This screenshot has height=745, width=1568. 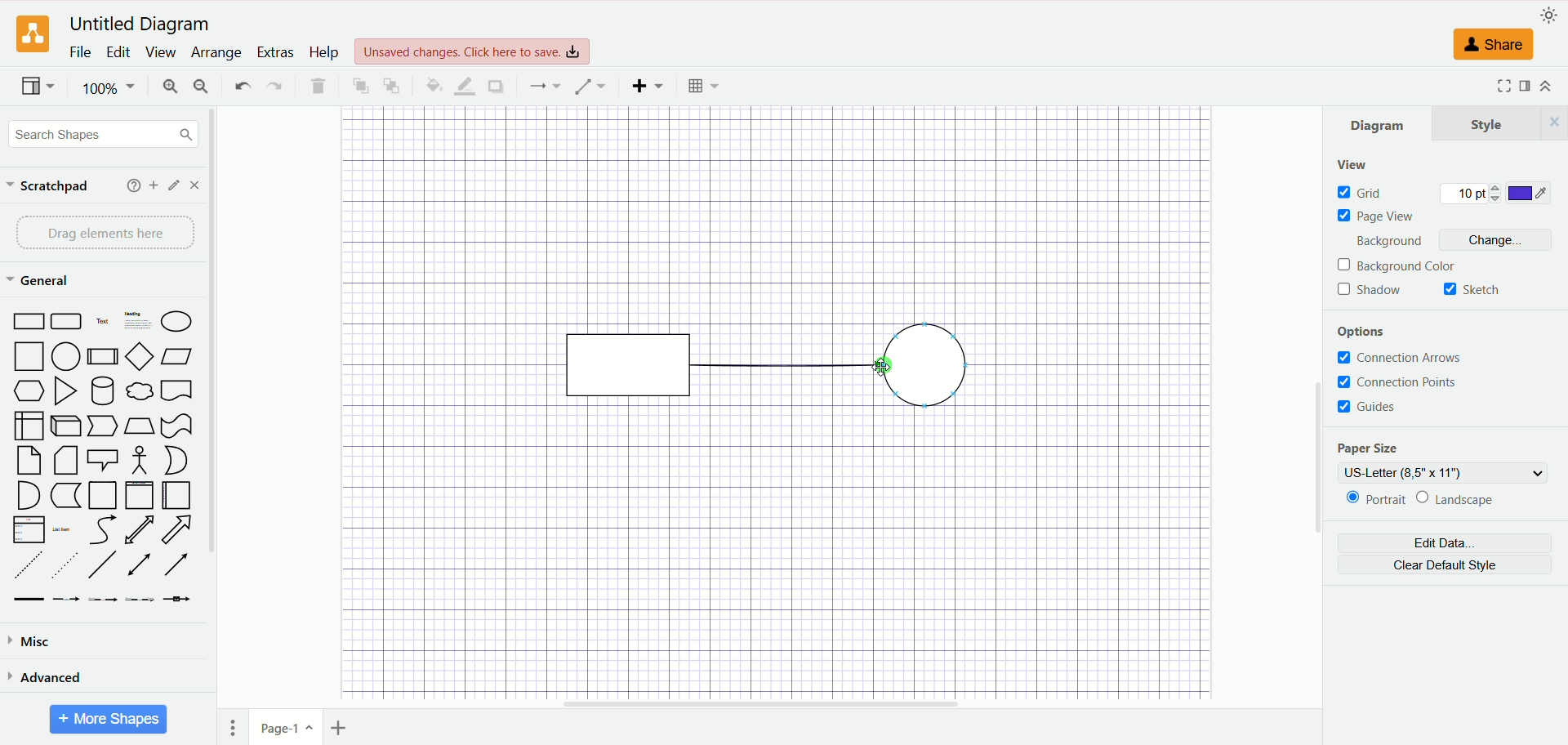 I want to click on general, so click(x=38, y=280).